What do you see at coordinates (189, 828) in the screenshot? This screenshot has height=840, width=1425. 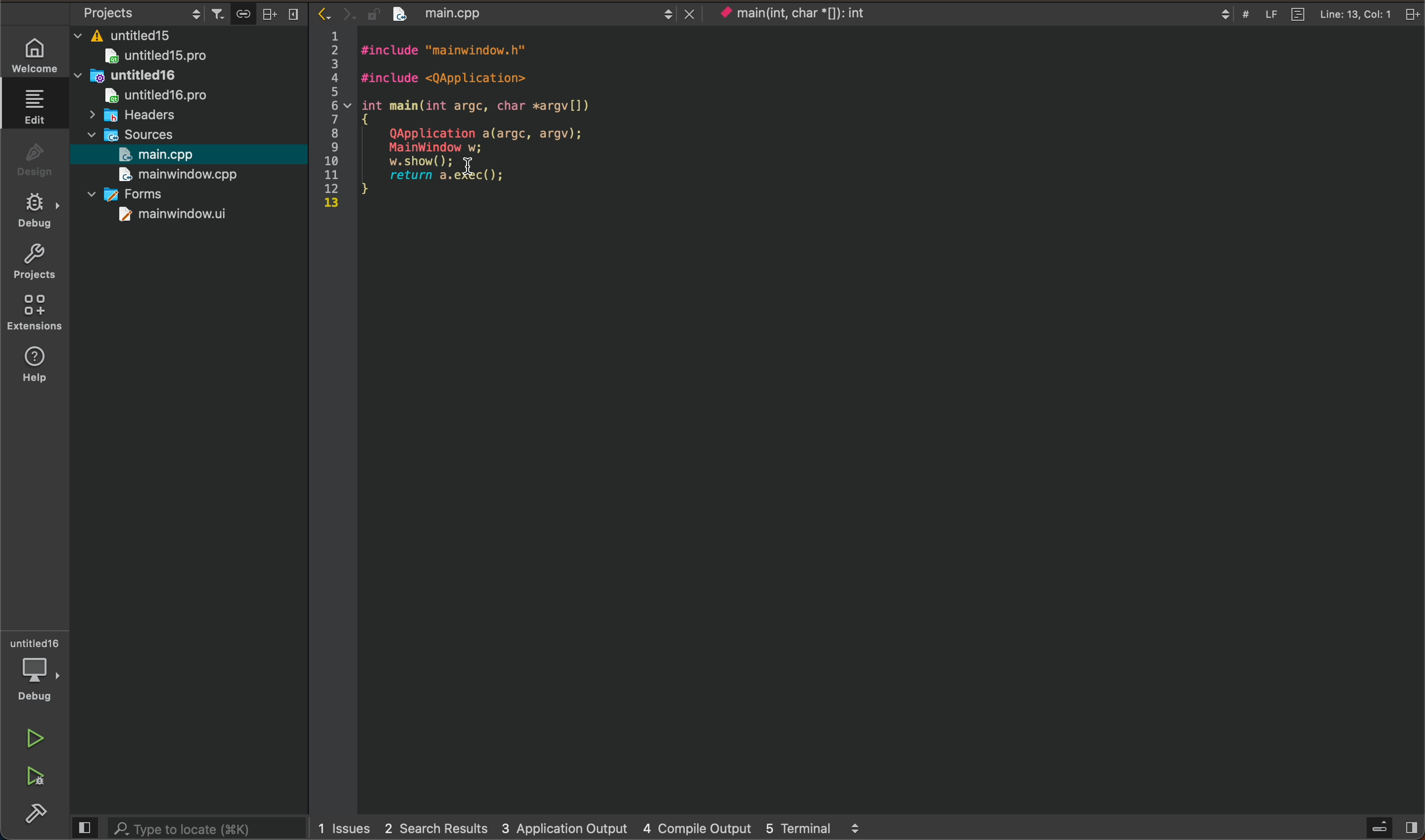 I see `search` at bounding box center [189, 828].